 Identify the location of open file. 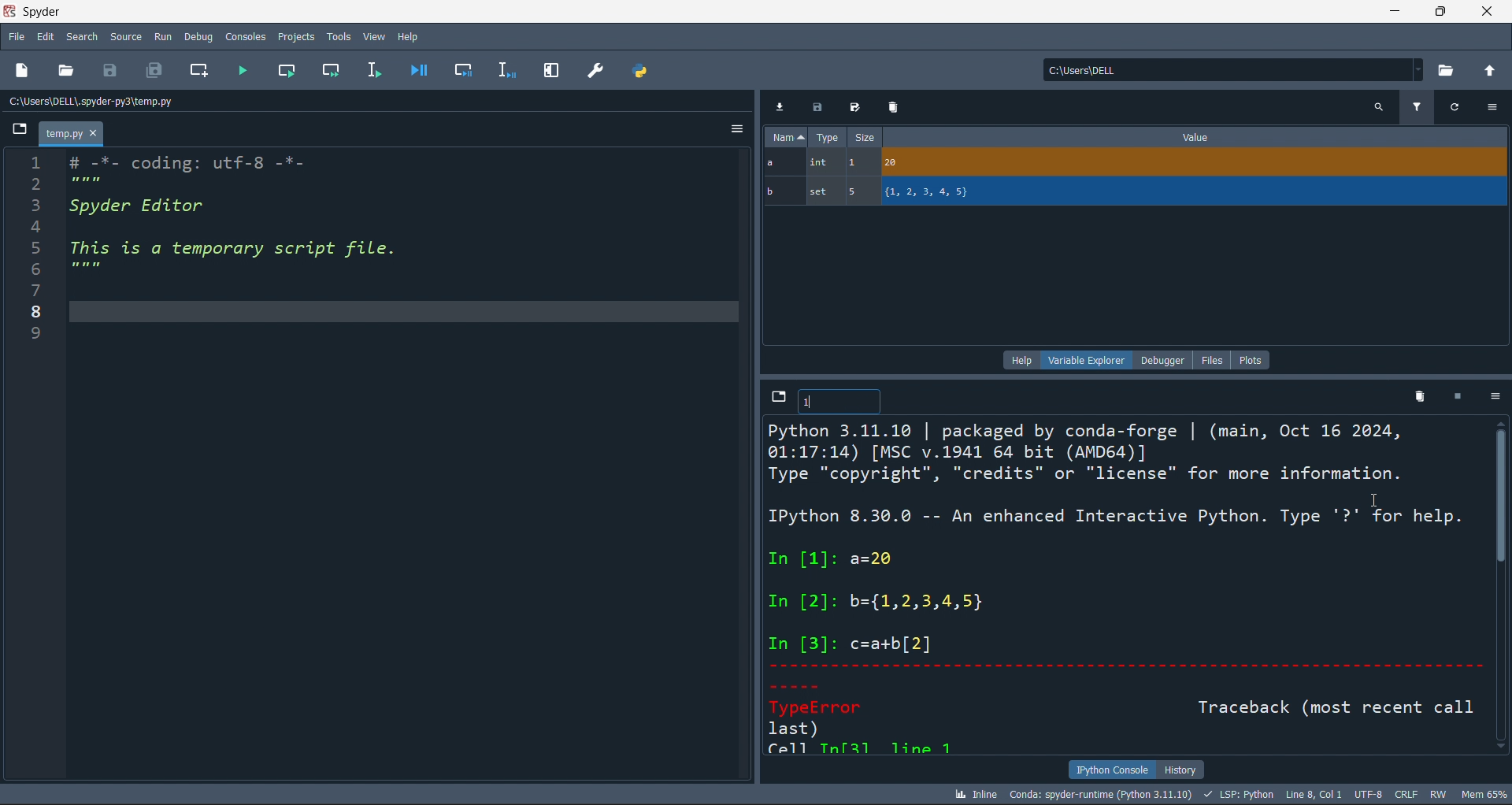
(69, 72).